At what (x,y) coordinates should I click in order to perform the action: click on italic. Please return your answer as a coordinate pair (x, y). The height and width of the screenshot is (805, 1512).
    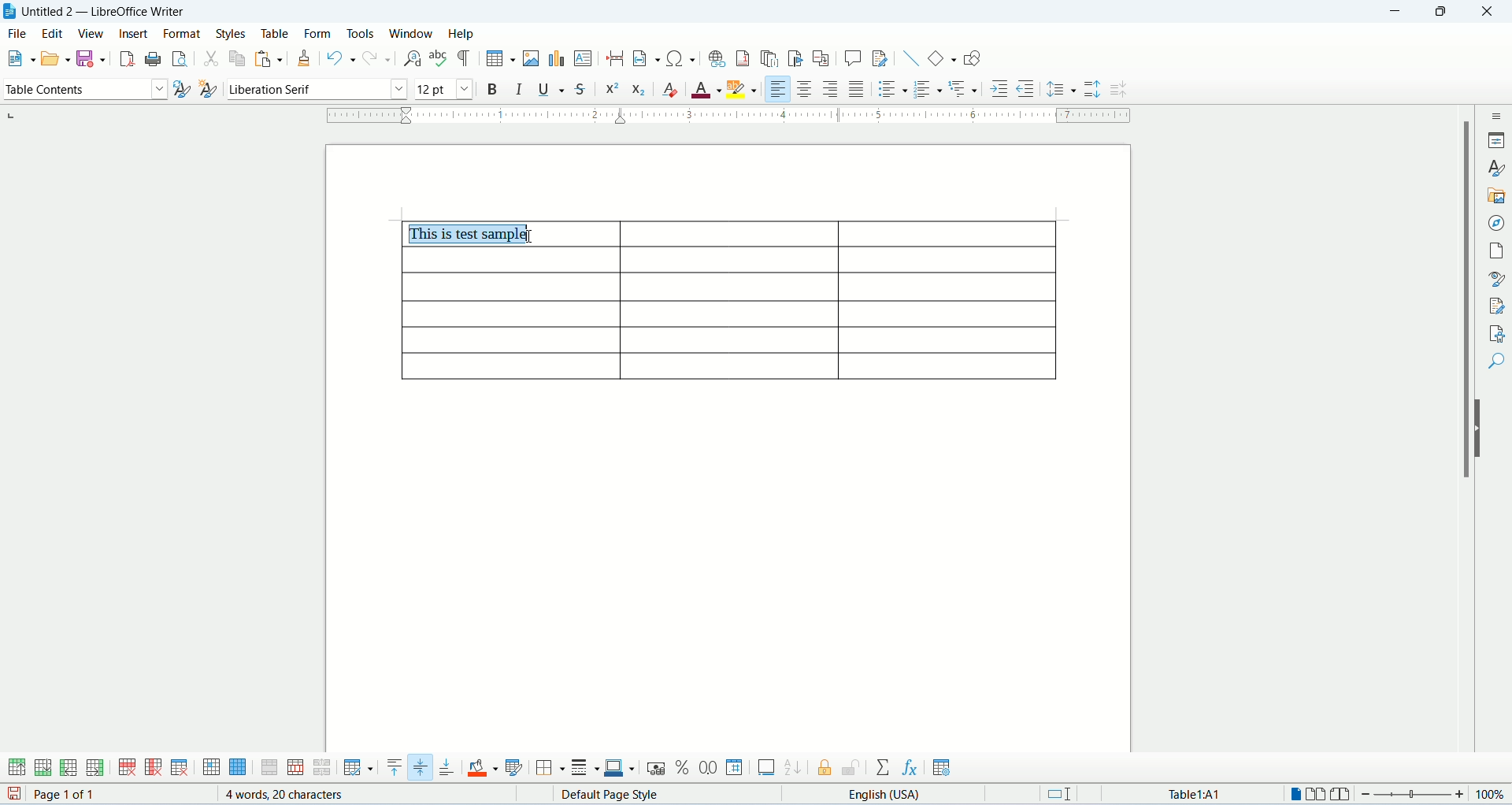
    Looking at the image, I should click on (520, 89).